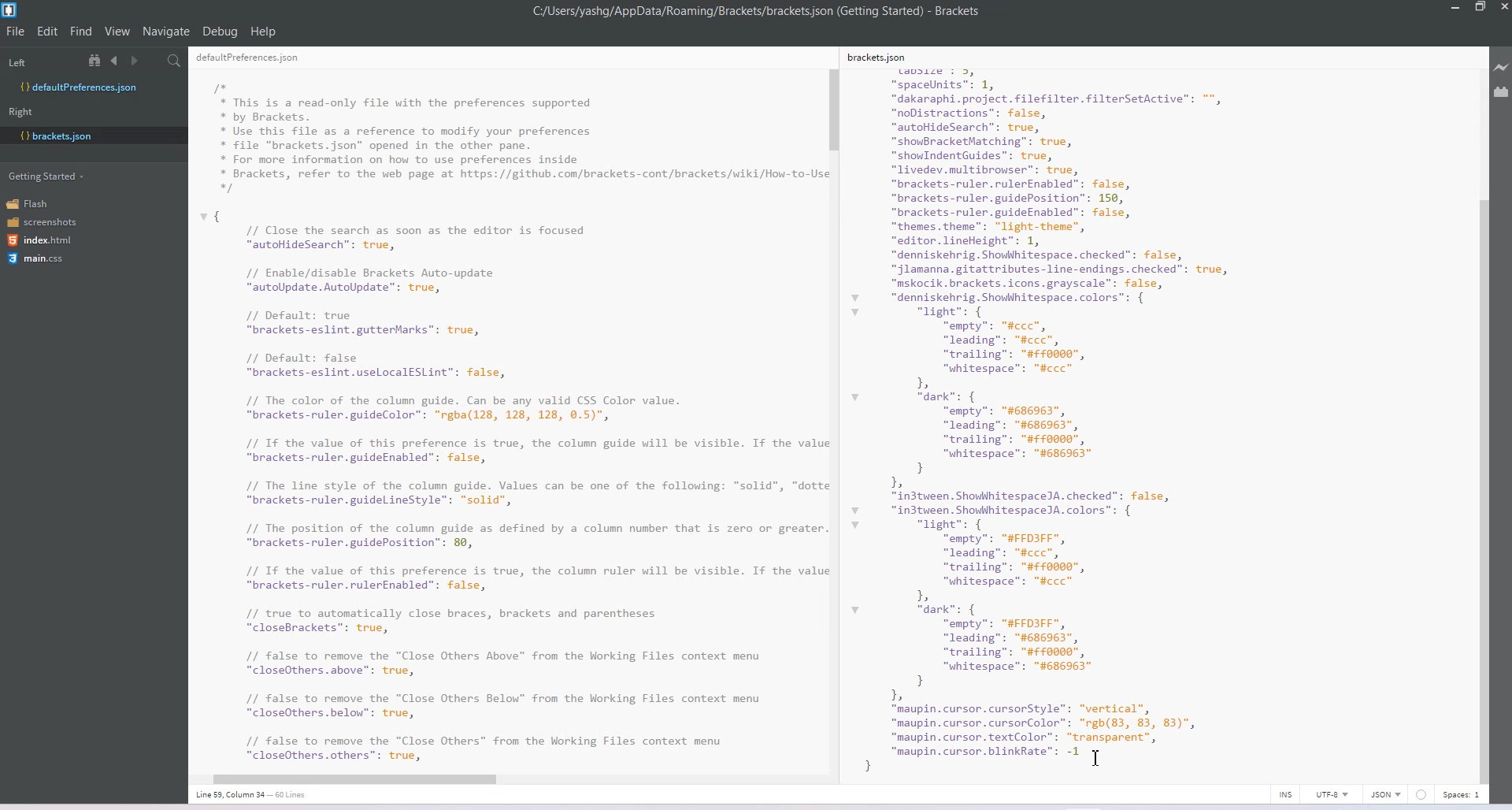 Image resolution: width=1512 pixels, height=810 pixels. I want to click on Vertical Scroll Bar, so click(834, 416).